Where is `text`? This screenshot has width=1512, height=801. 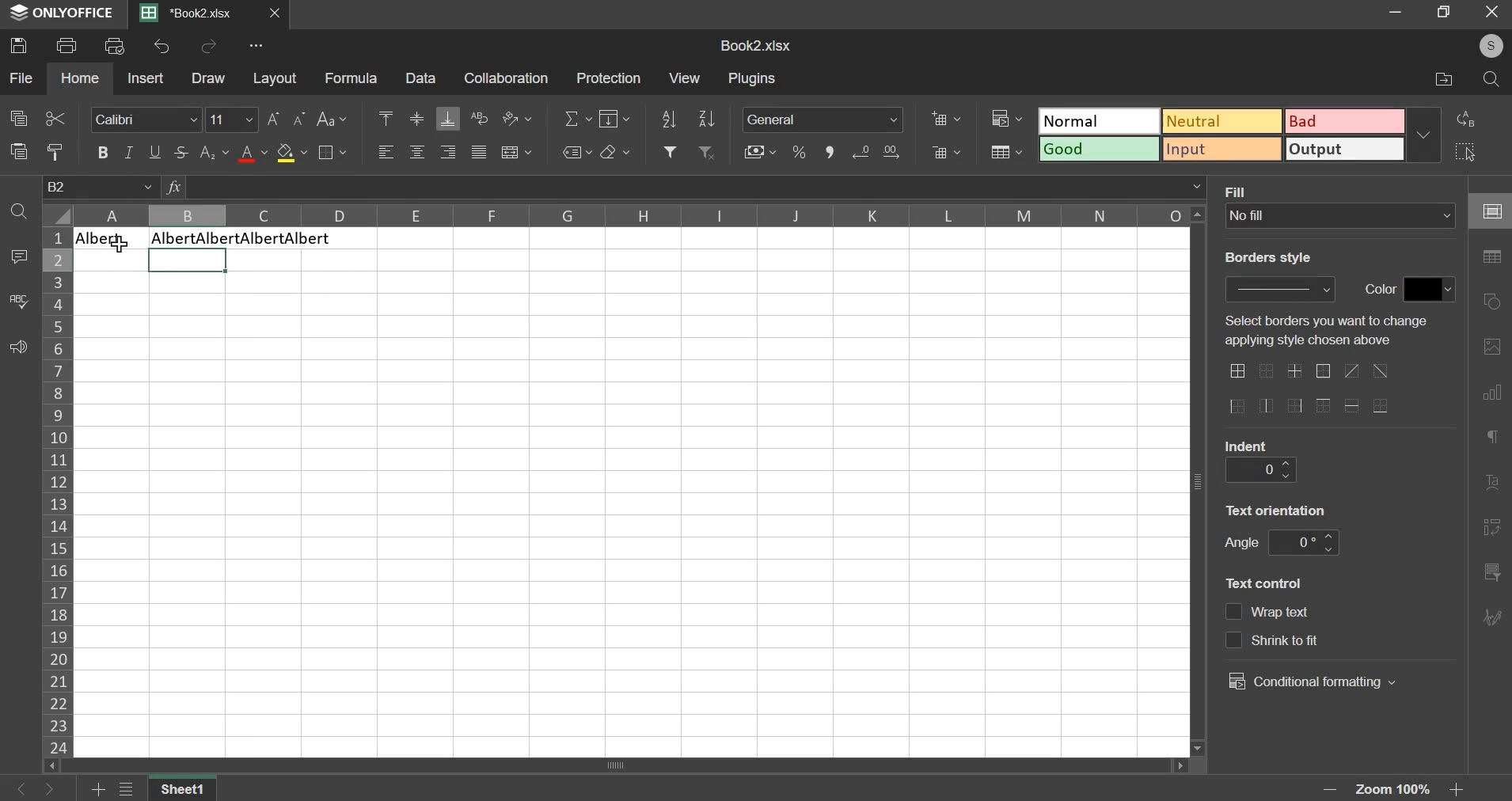 text is located at coordinates (1266, 256).